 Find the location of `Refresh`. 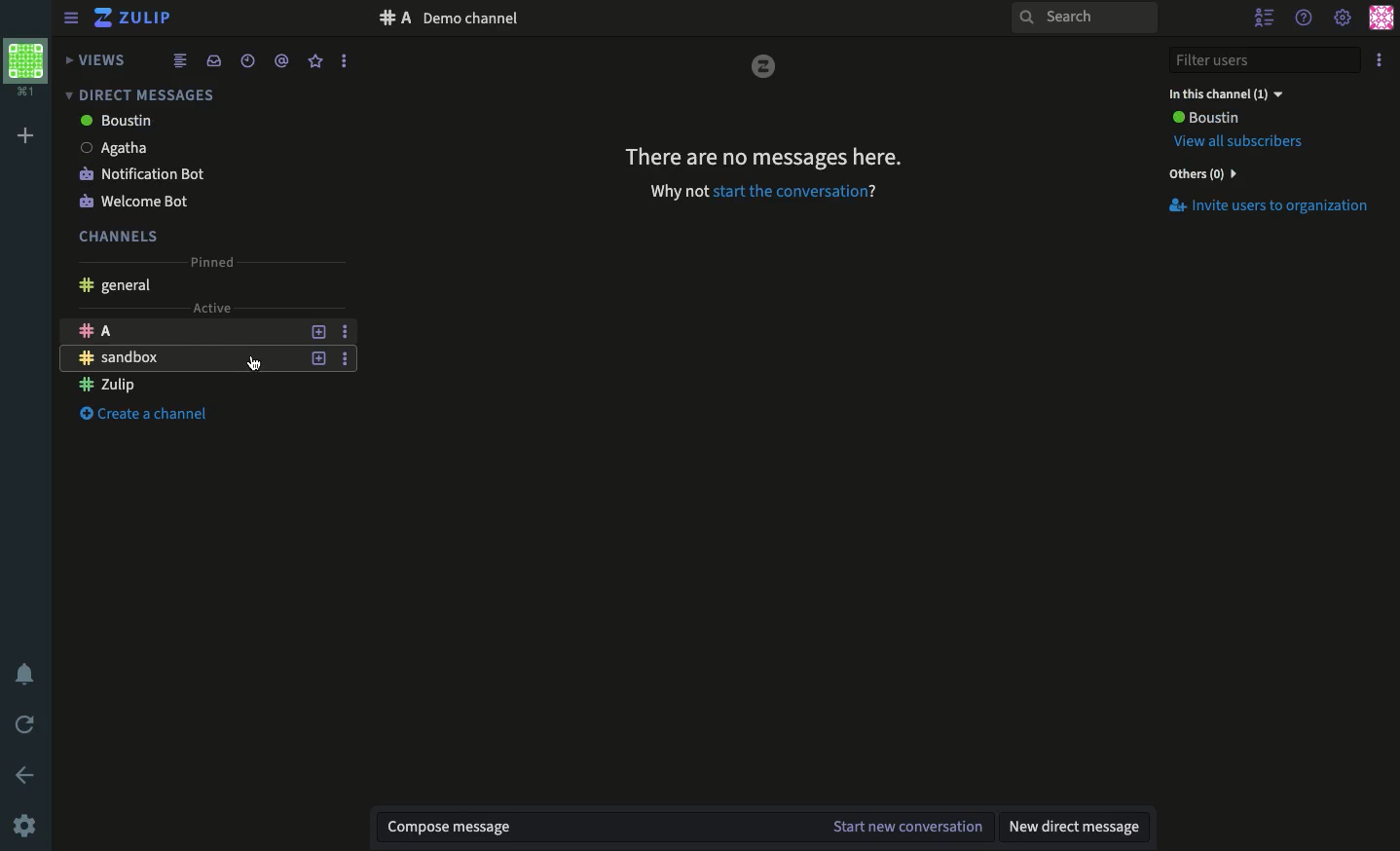

Refresh is located at coordinates (26, 722).